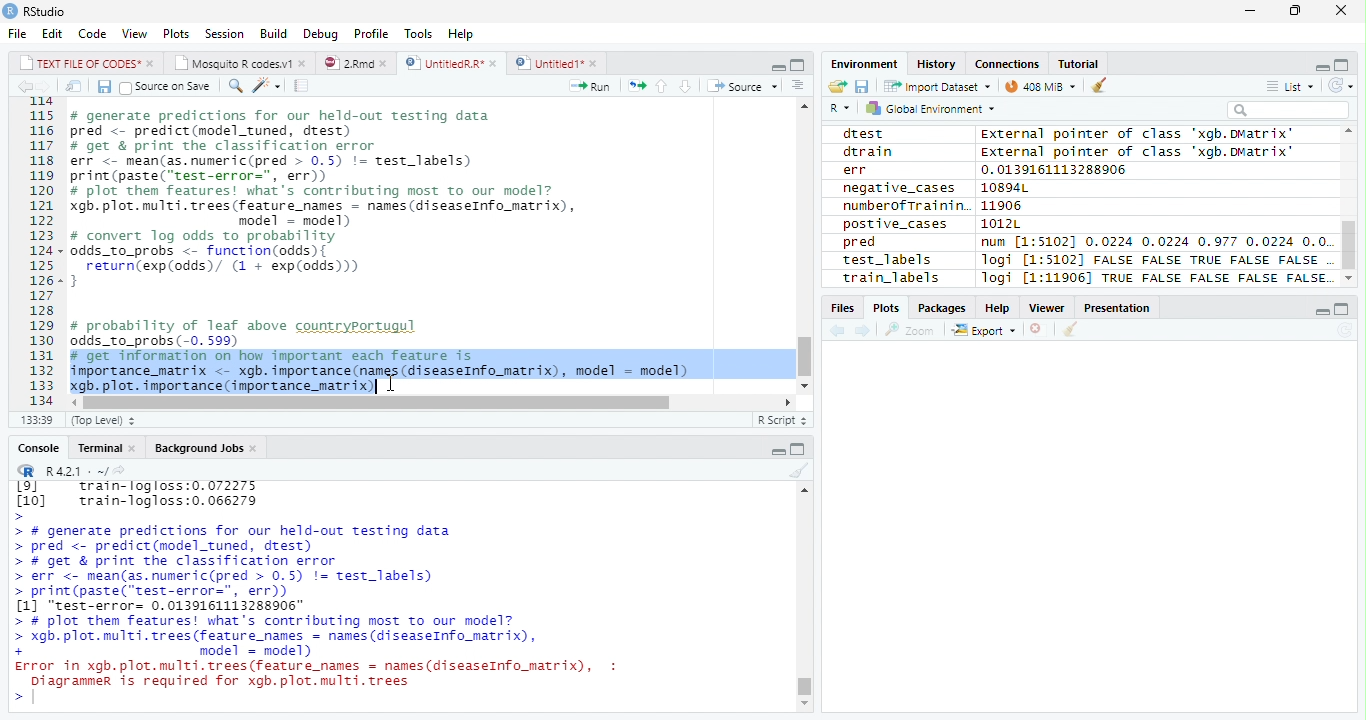 This screenshot has width=1366, height=720. What do you see at coordinates (134, 34) in the screenshot?
I see `View` at bounding box center [134, 34].